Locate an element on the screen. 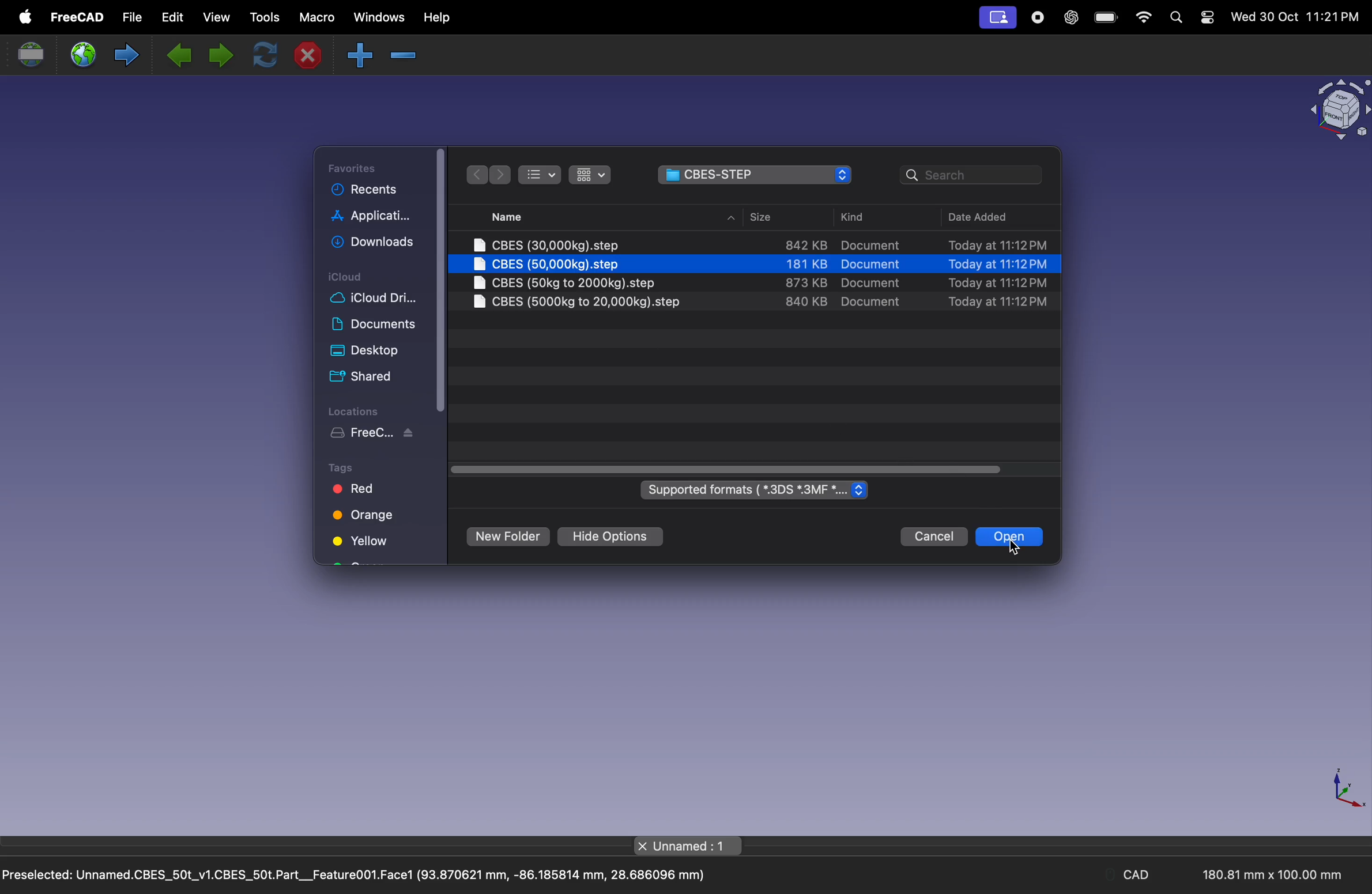 This screenshot has height=894, width=1372. wifi is located at coordinates (1143, 19).